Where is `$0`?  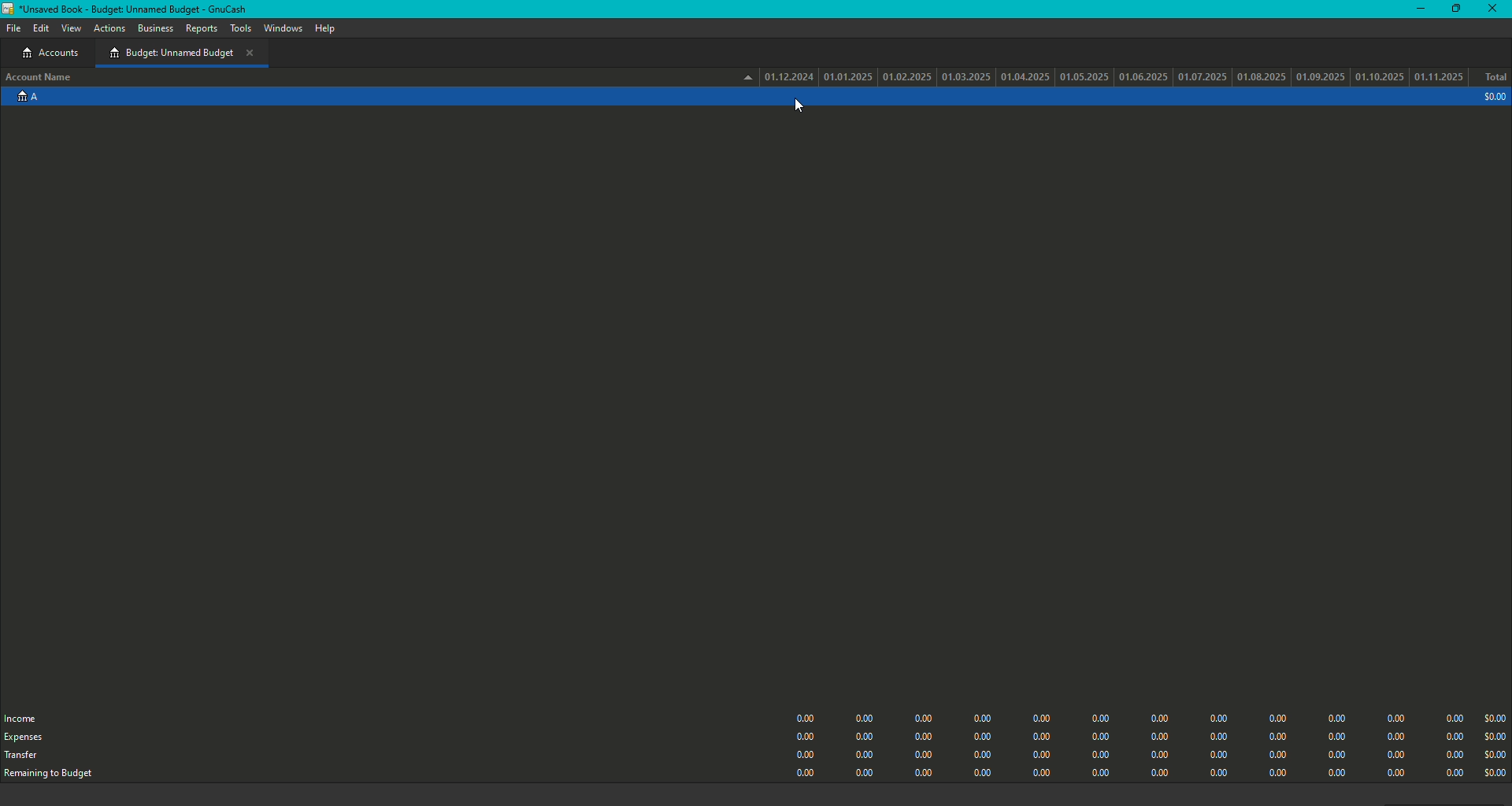 $0 is located at coordinates (1146, 741).